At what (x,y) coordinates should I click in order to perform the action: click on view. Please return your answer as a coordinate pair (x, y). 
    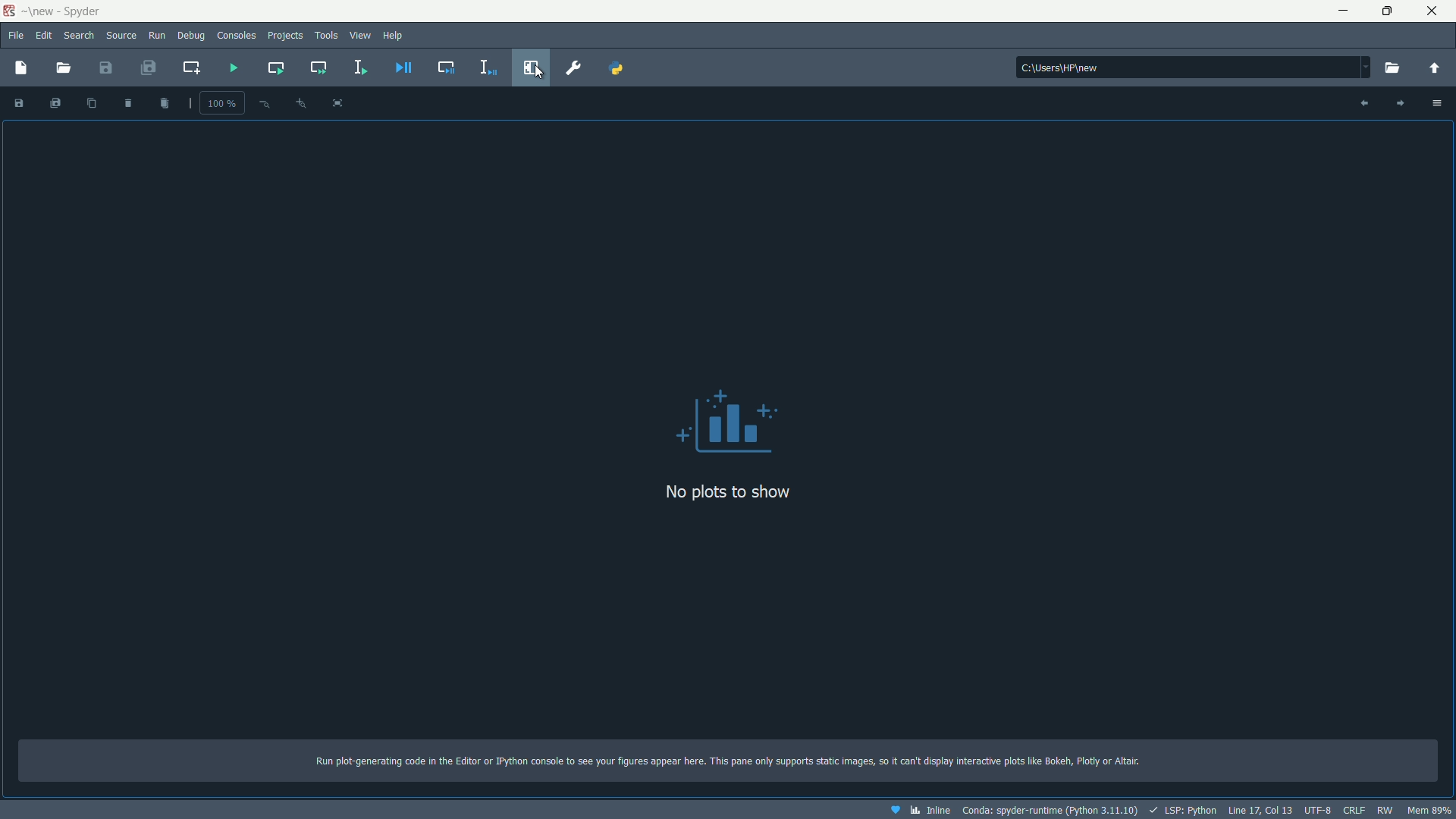
    Looking at the image, I should click on (361, 33).